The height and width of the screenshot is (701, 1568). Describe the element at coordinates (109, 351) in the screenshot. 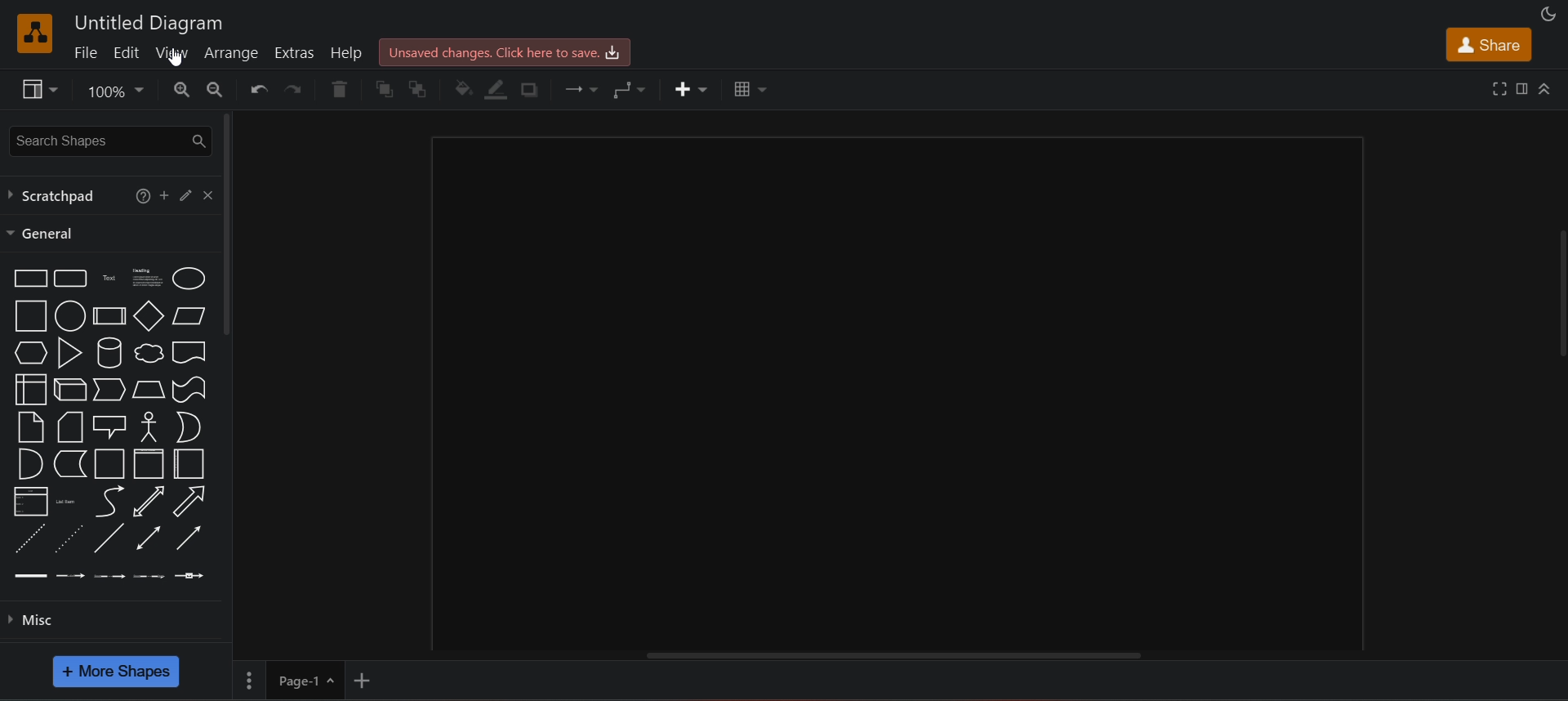

I see `cylinder` at that location.